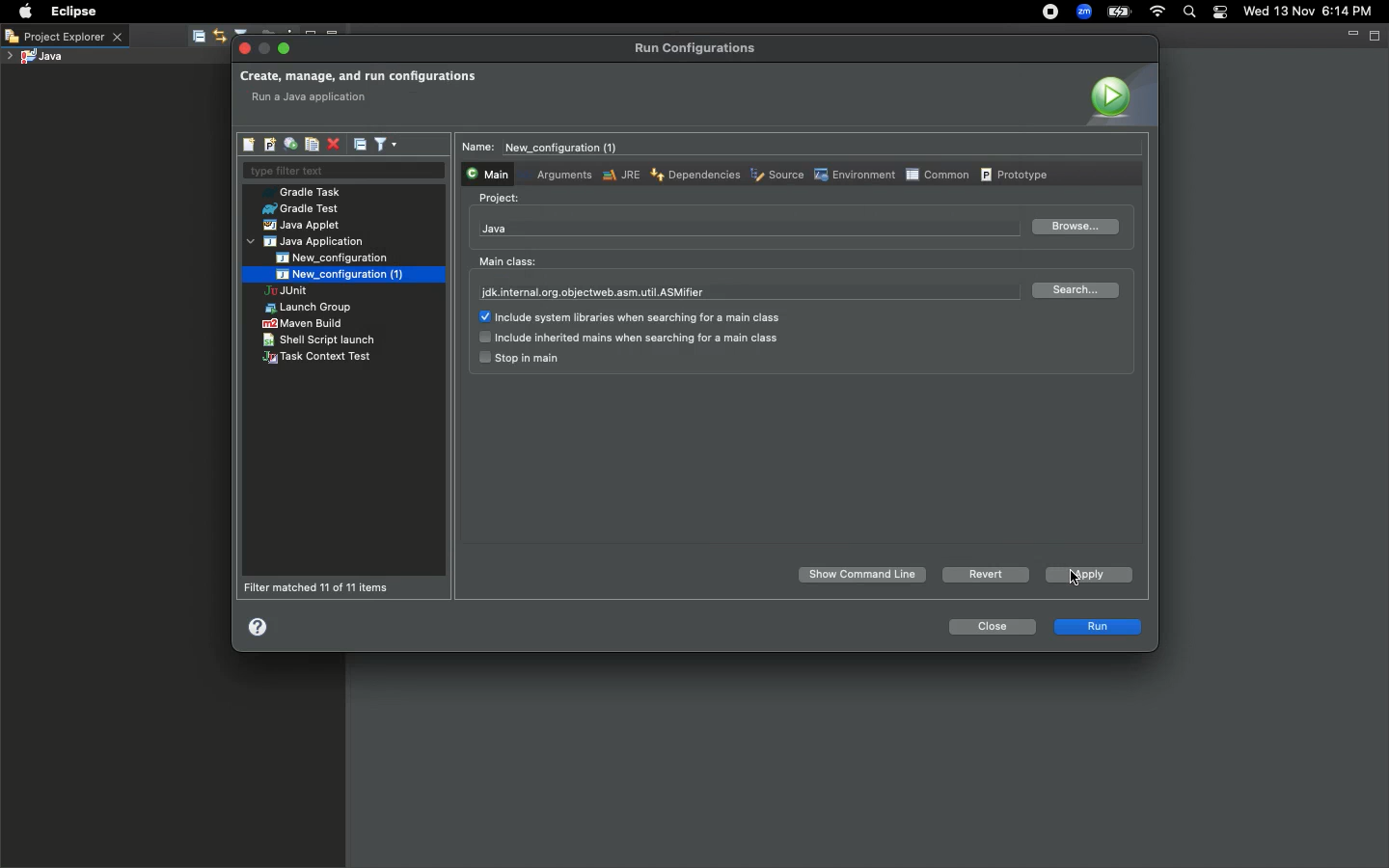 The width and height of the screenshot is (1389, 868). I want to click on Search, so click(1188, 14).